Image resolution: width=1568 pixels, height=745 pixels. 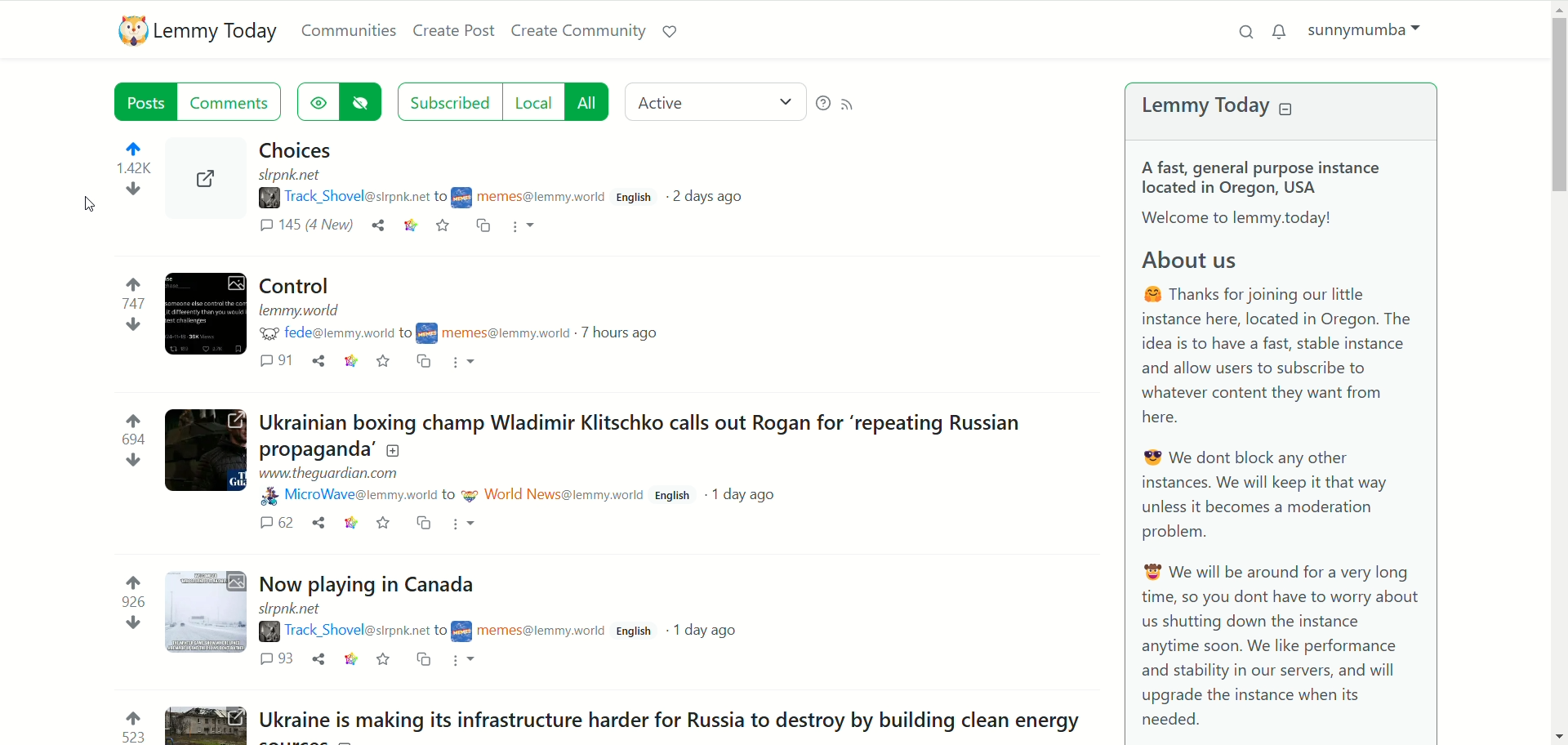 I want to click on collapse, so click(x=1287, y=109).